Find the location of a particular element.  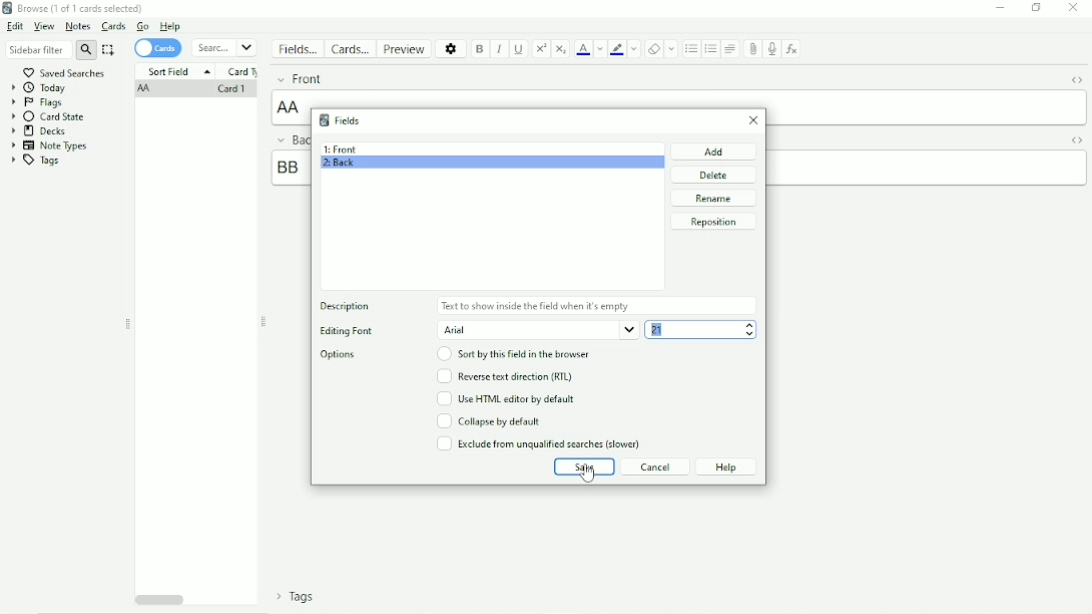

Text highlight color is located at coordinates (617, 49).